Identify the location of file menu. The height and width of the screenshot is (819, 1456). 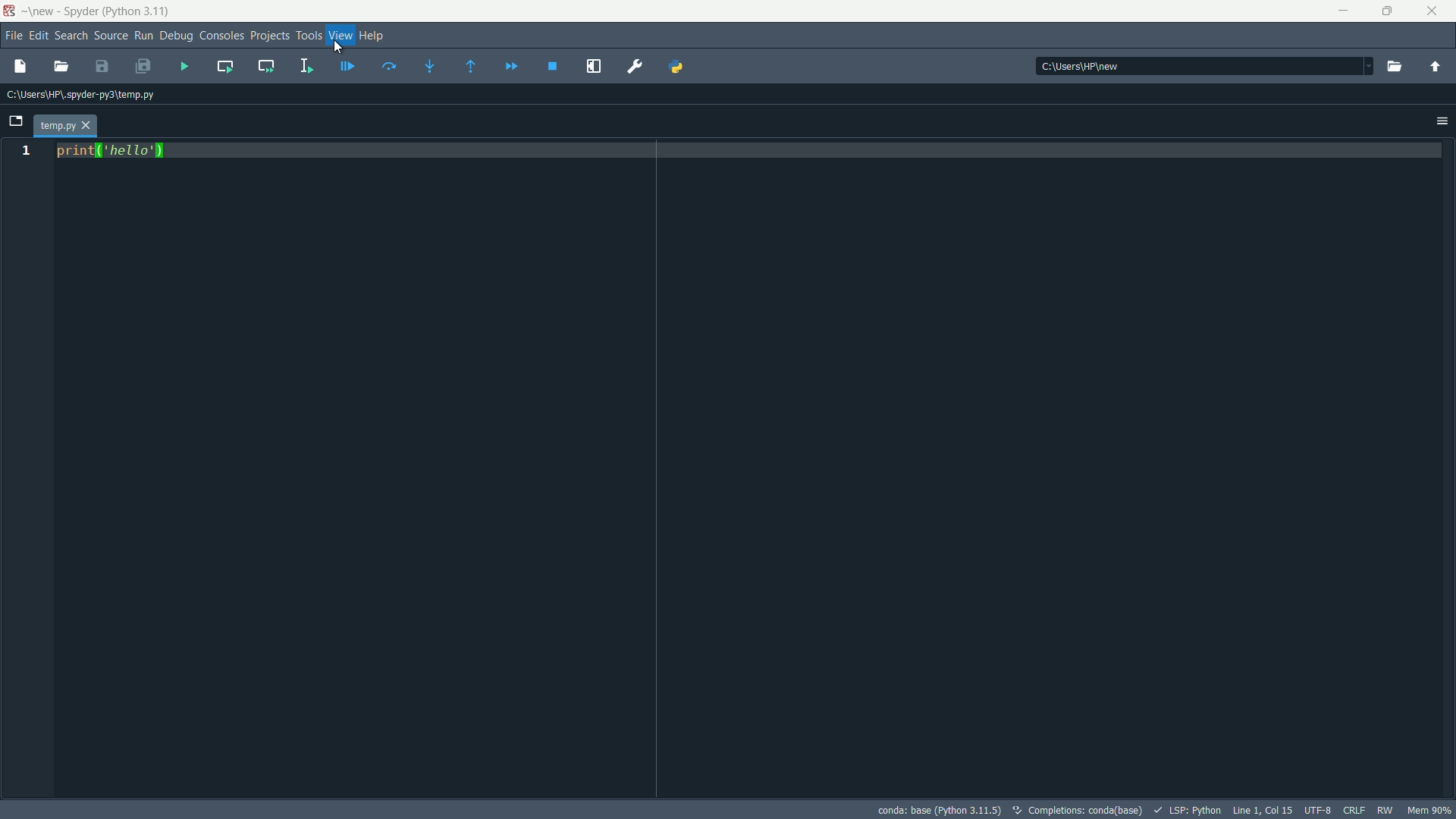
(12, 36).